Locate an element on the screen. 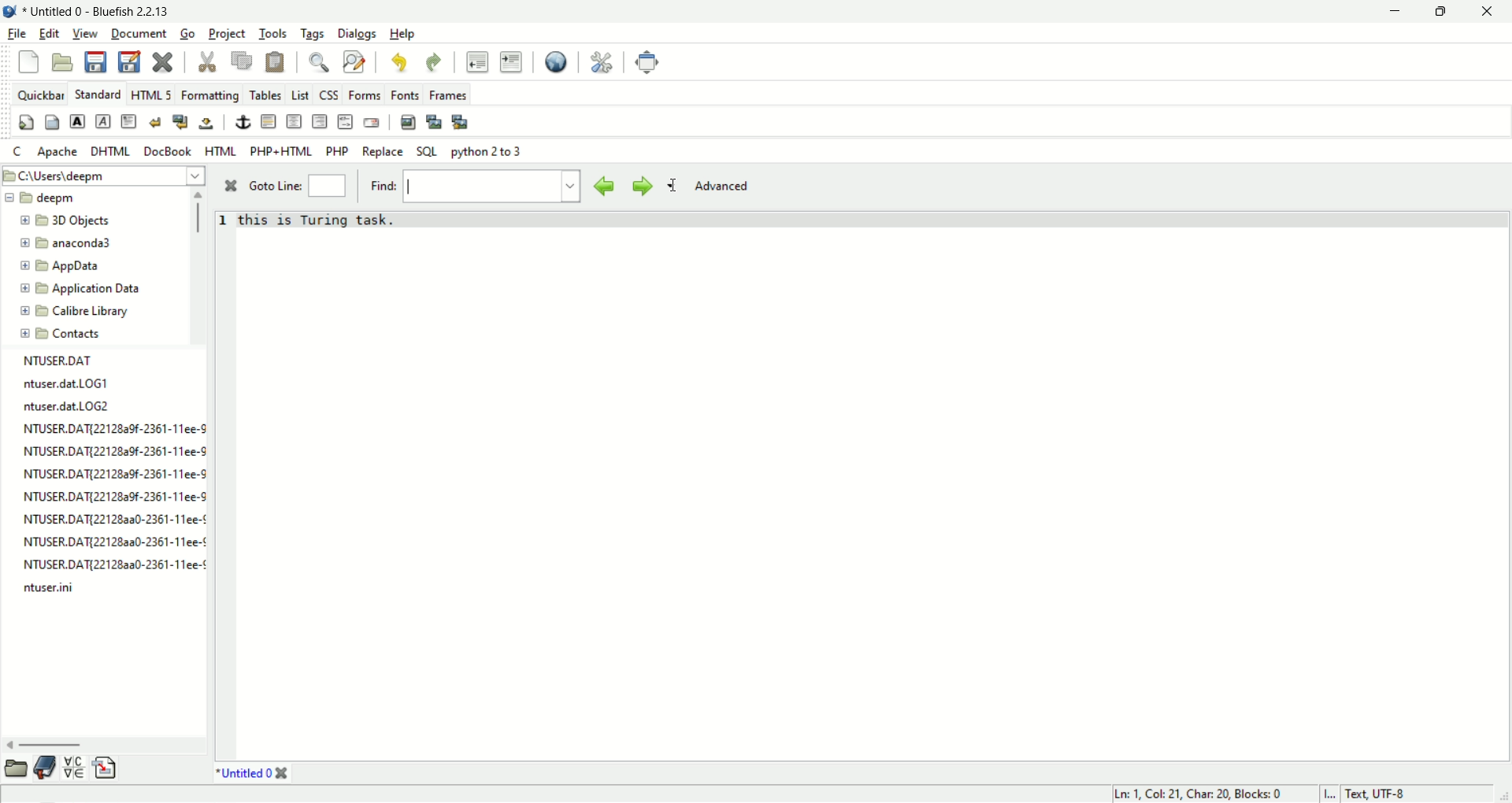 This screenshot has height=803, width=1512. PHP is located at coordinates (339, 151).